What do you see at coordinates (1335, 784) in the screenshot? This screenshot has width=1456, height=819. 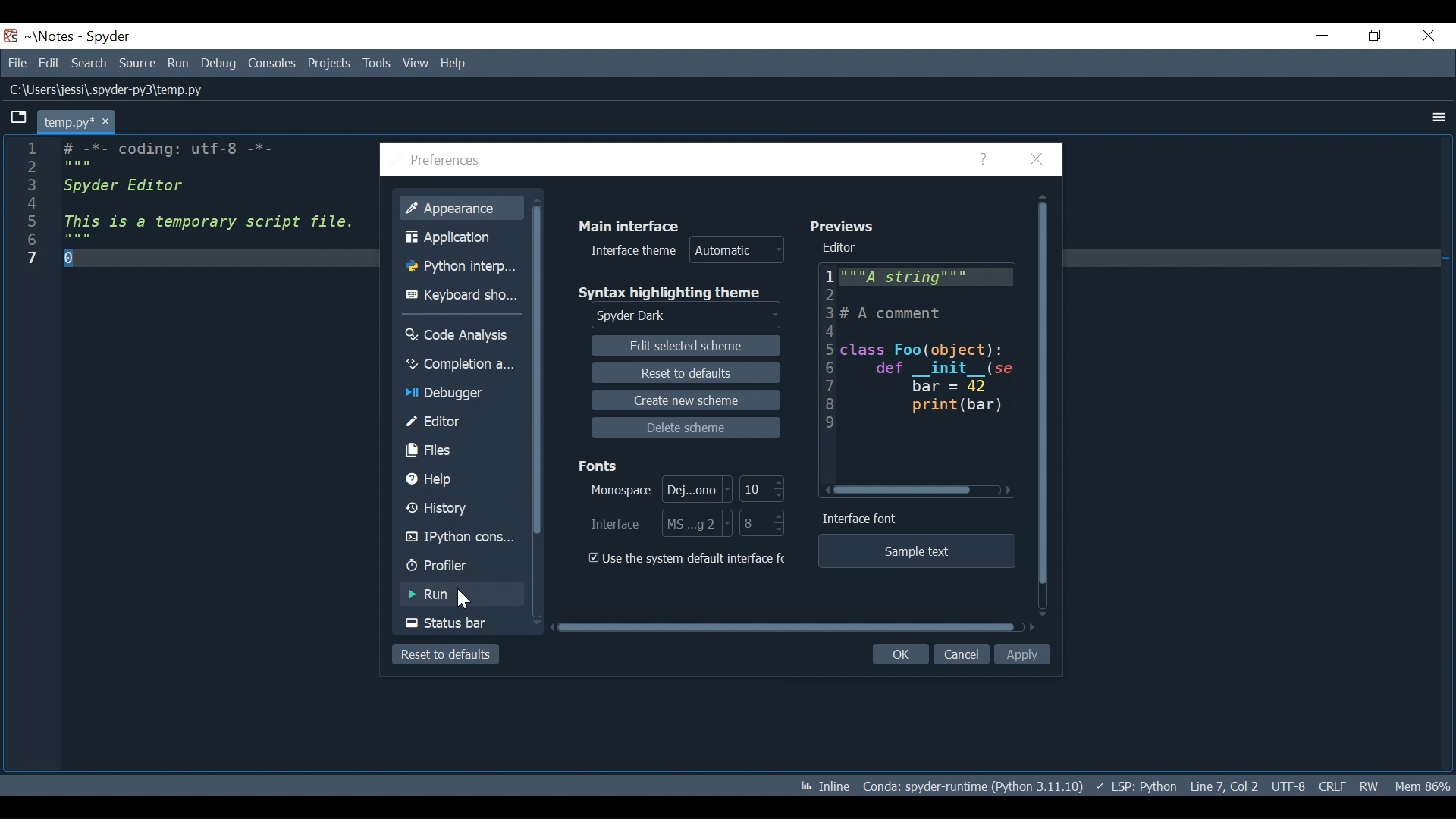 I see `File EQL Status` at bounding box center [1335, 784].